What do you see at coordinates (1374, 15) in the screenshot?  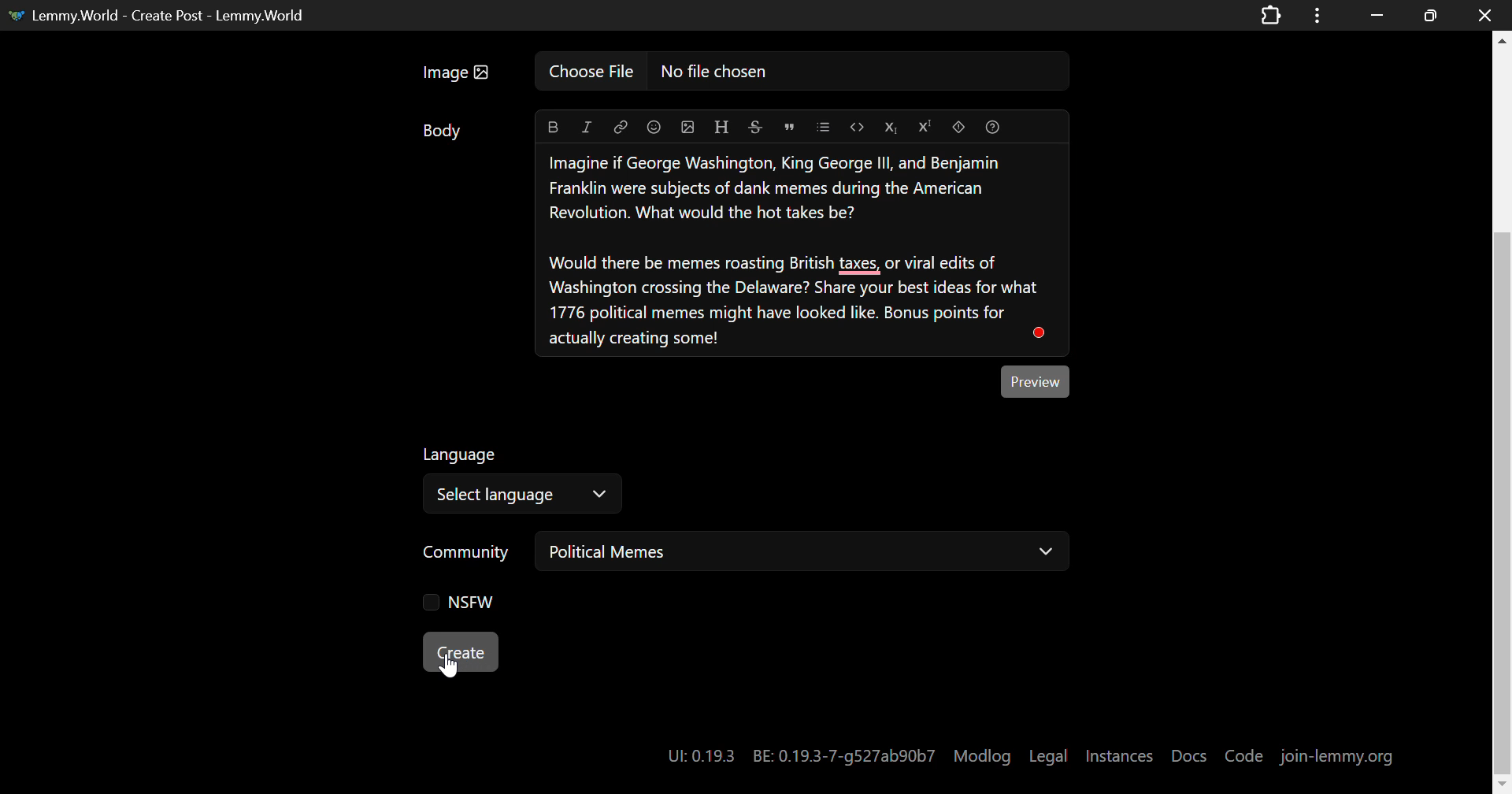 I see `Restore Down` at bounding box center [1374, 15].